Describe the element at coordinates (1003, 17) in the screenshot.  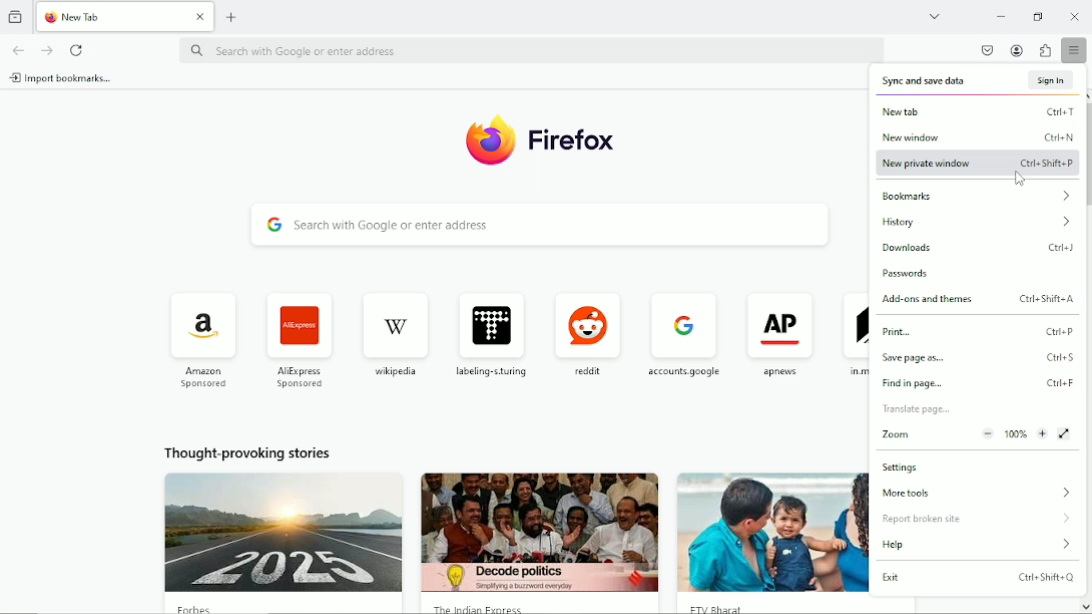
I see `minimize` at that location.